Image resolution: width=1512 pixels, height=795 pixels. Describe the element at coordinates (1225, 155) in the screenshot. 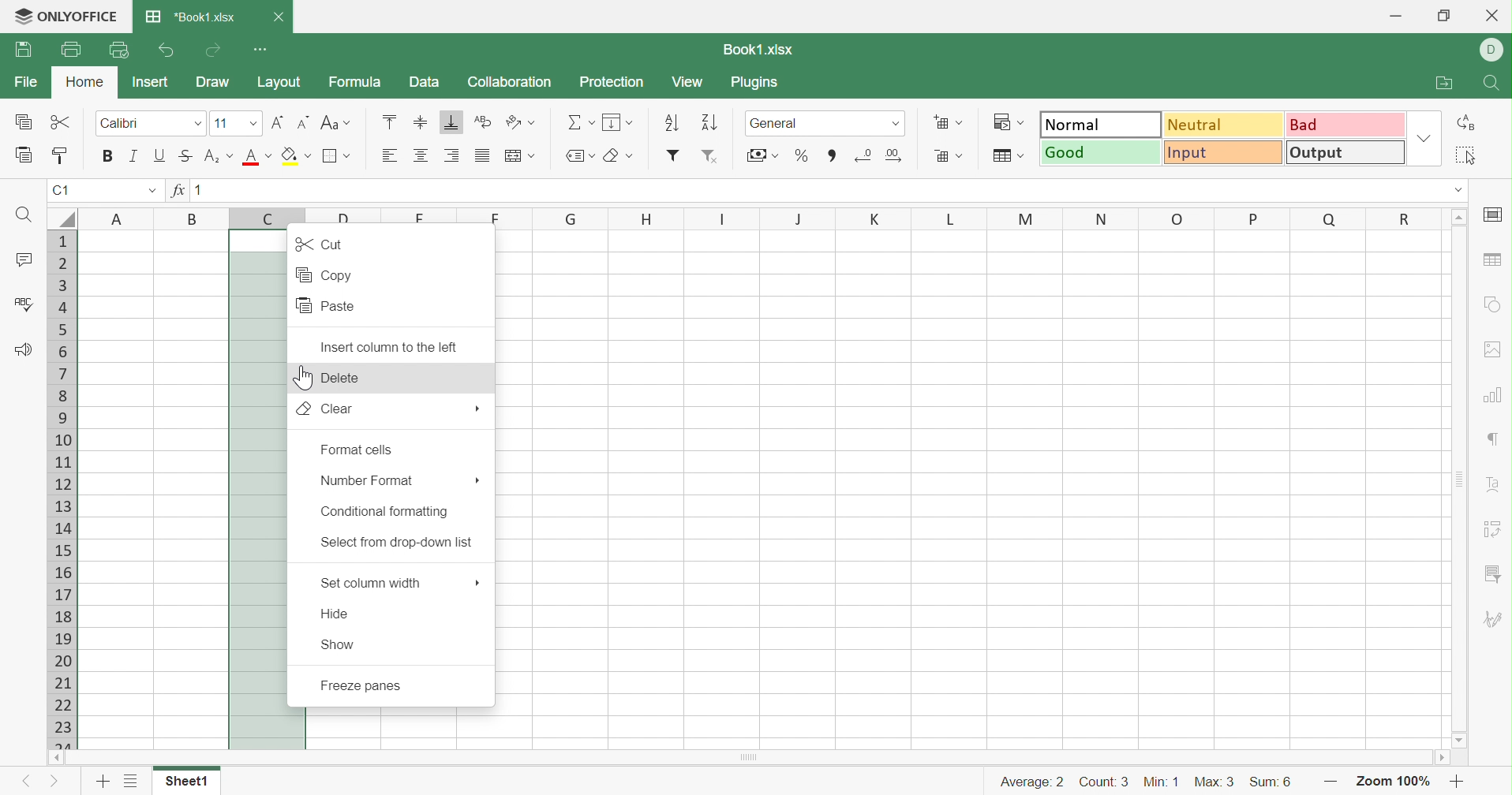

I see `Input` at that location.